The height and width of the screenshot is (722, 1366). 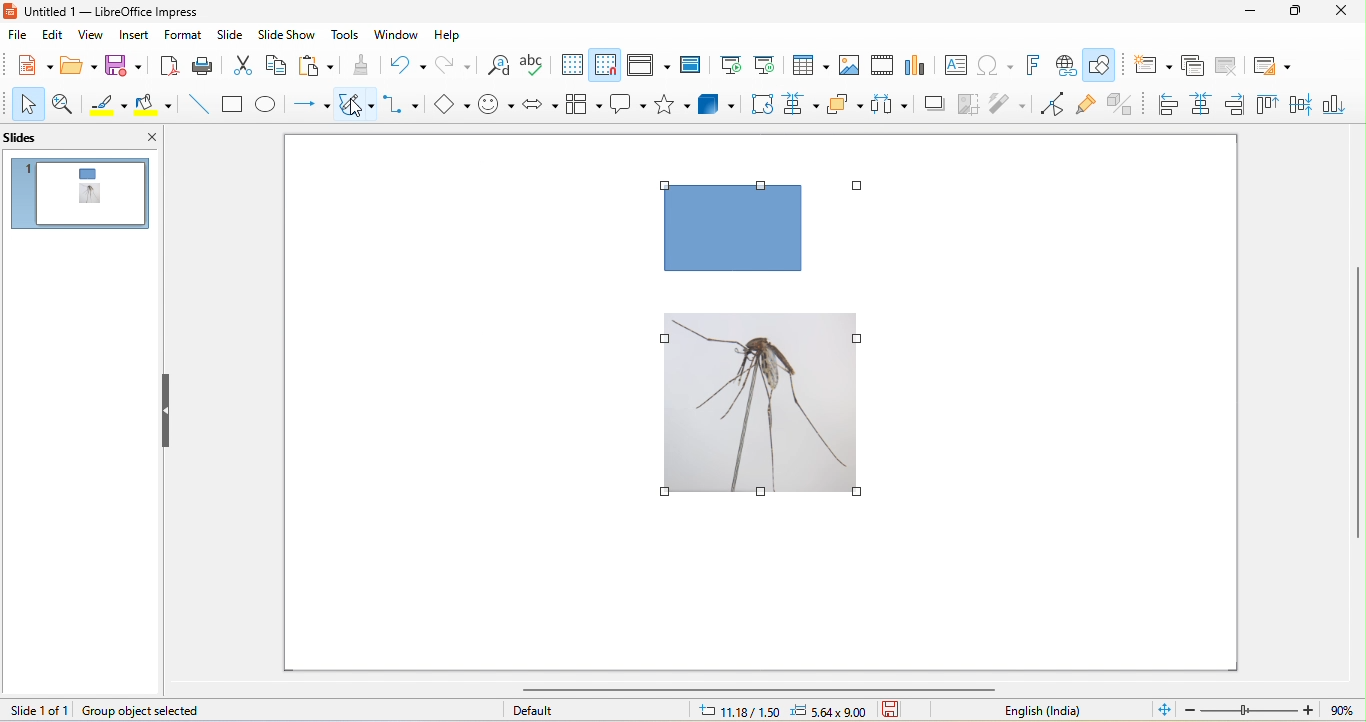 I want to click on block arrow, so click(x=543, y=105).